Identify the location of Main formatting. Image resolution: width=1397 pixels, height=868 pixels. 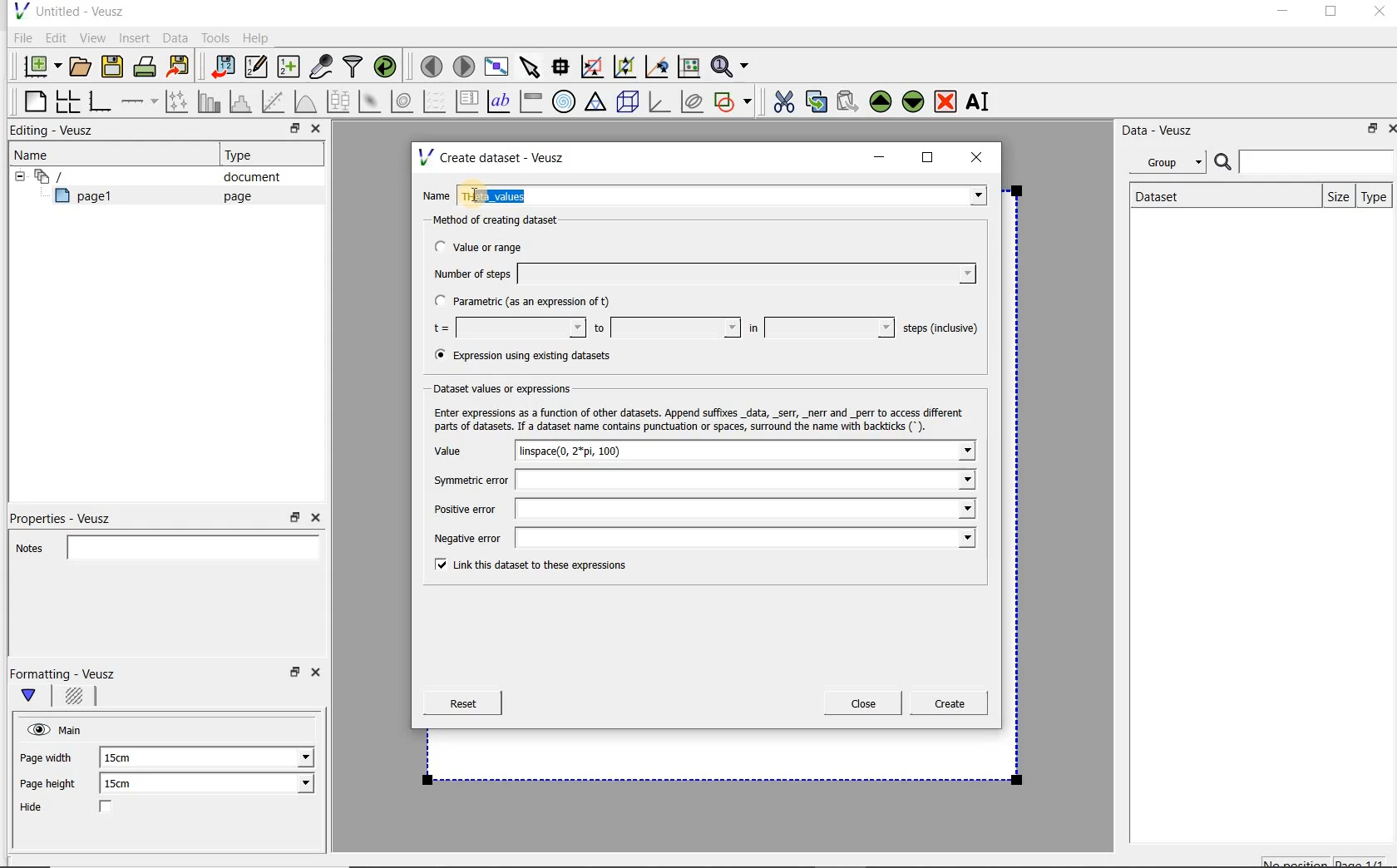
(36, 697).